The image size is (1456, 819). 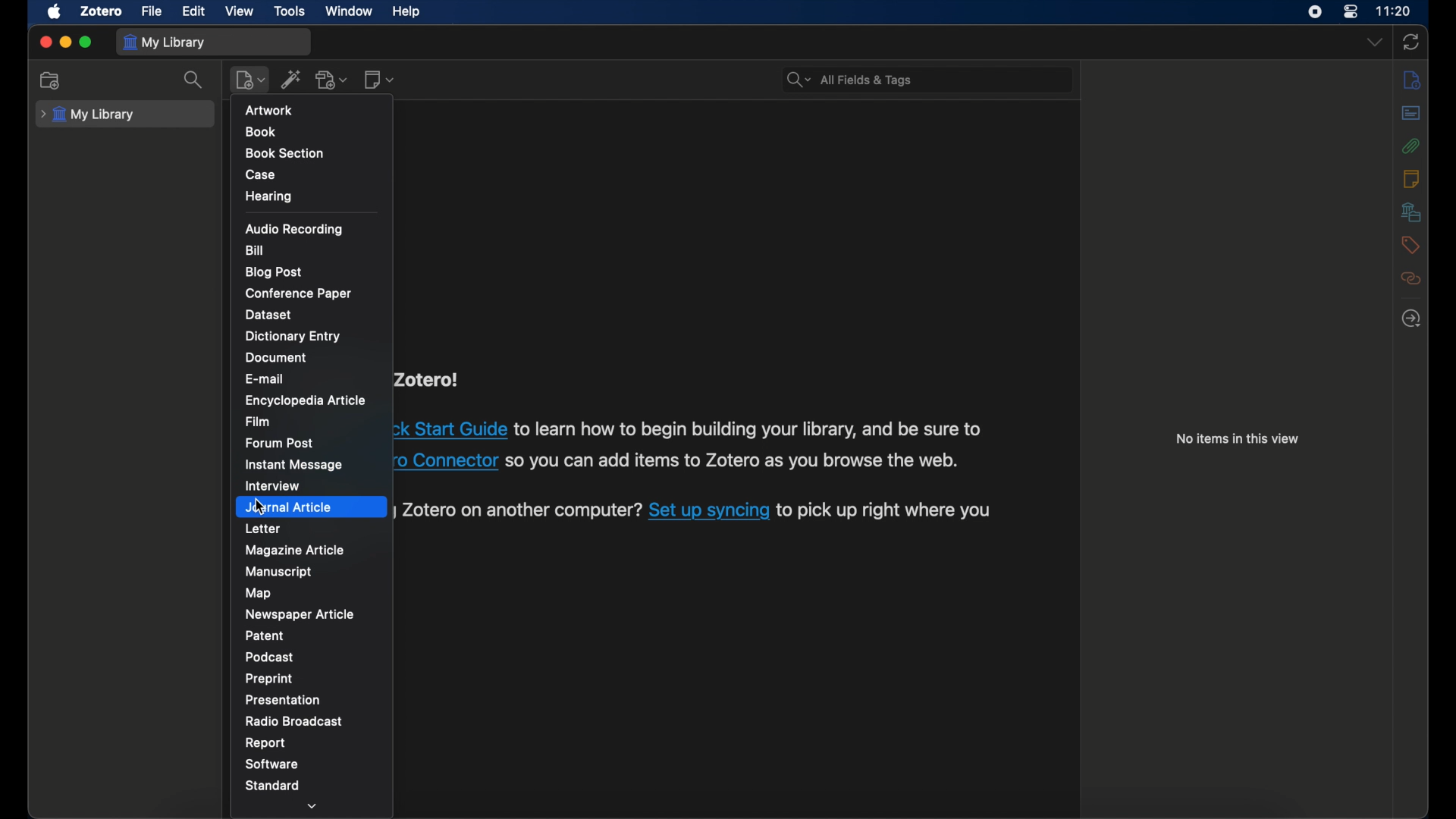 I want to click on forum post, so click(x=283, y=443).